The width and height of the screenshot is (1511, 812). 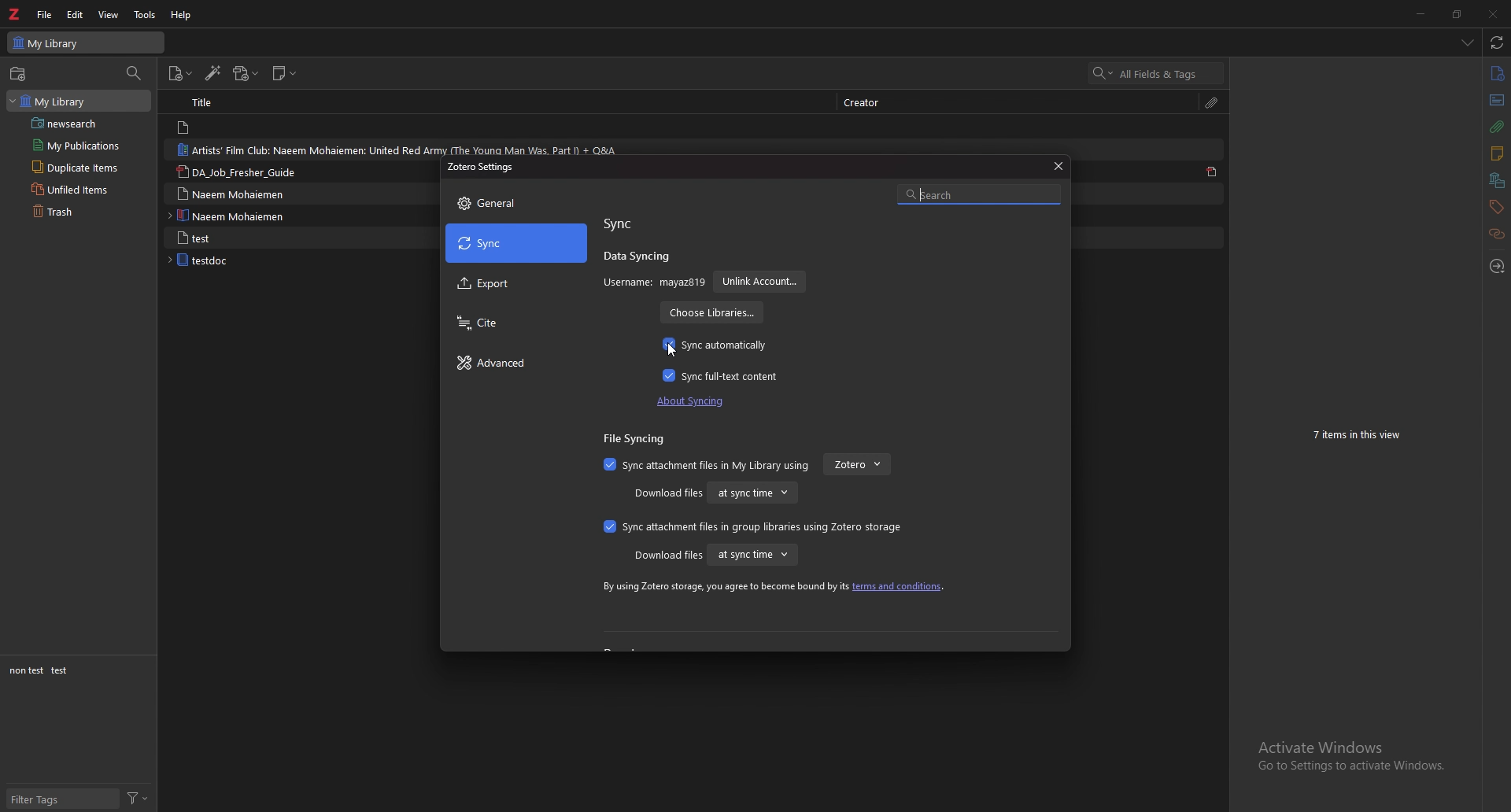 What do you see at coordinates (109, 15) in the screenshot?
I see `view` at bounding box center [109, 15].